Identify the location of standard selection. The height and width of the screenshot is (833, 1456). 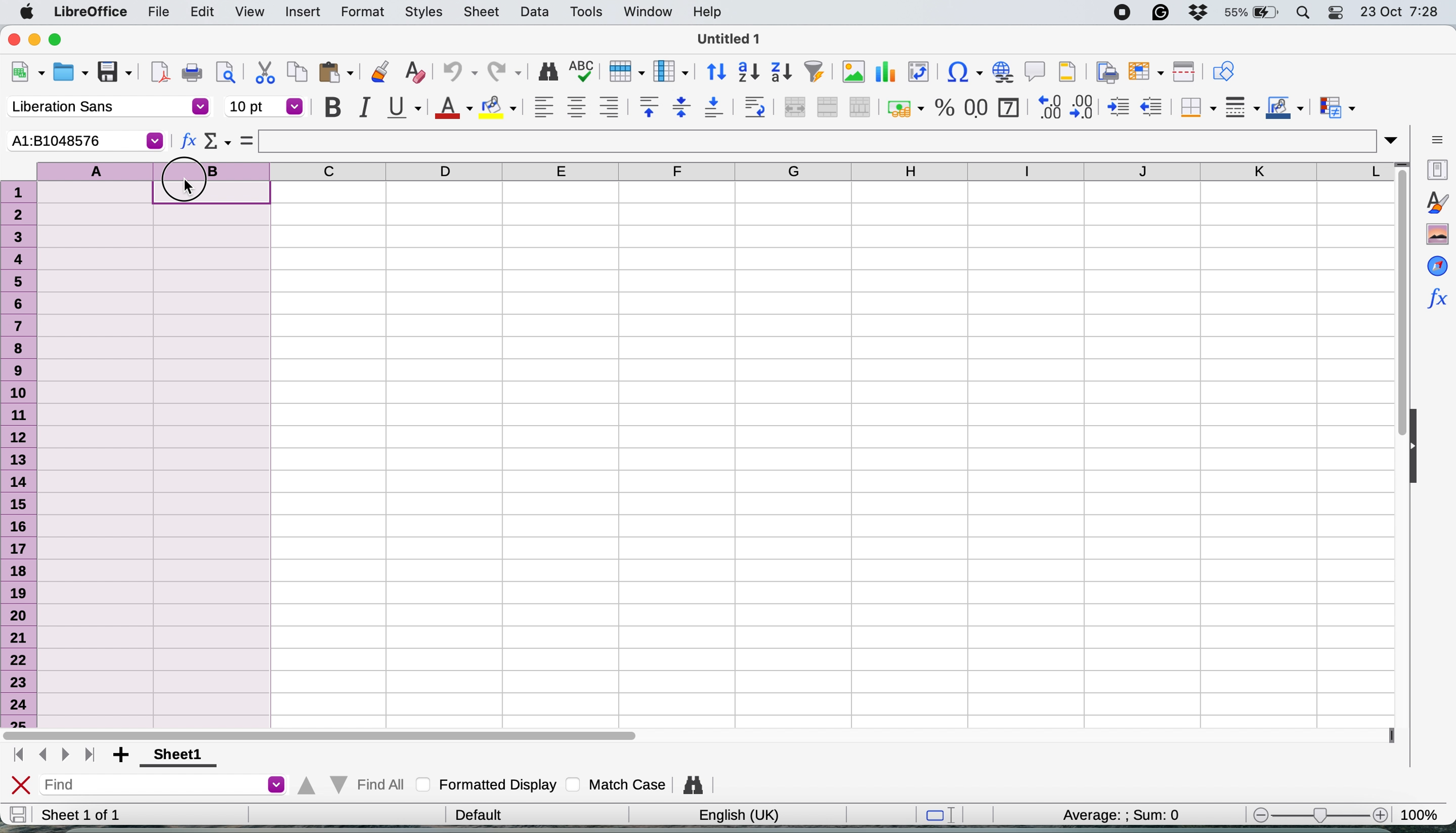
(935, 815).